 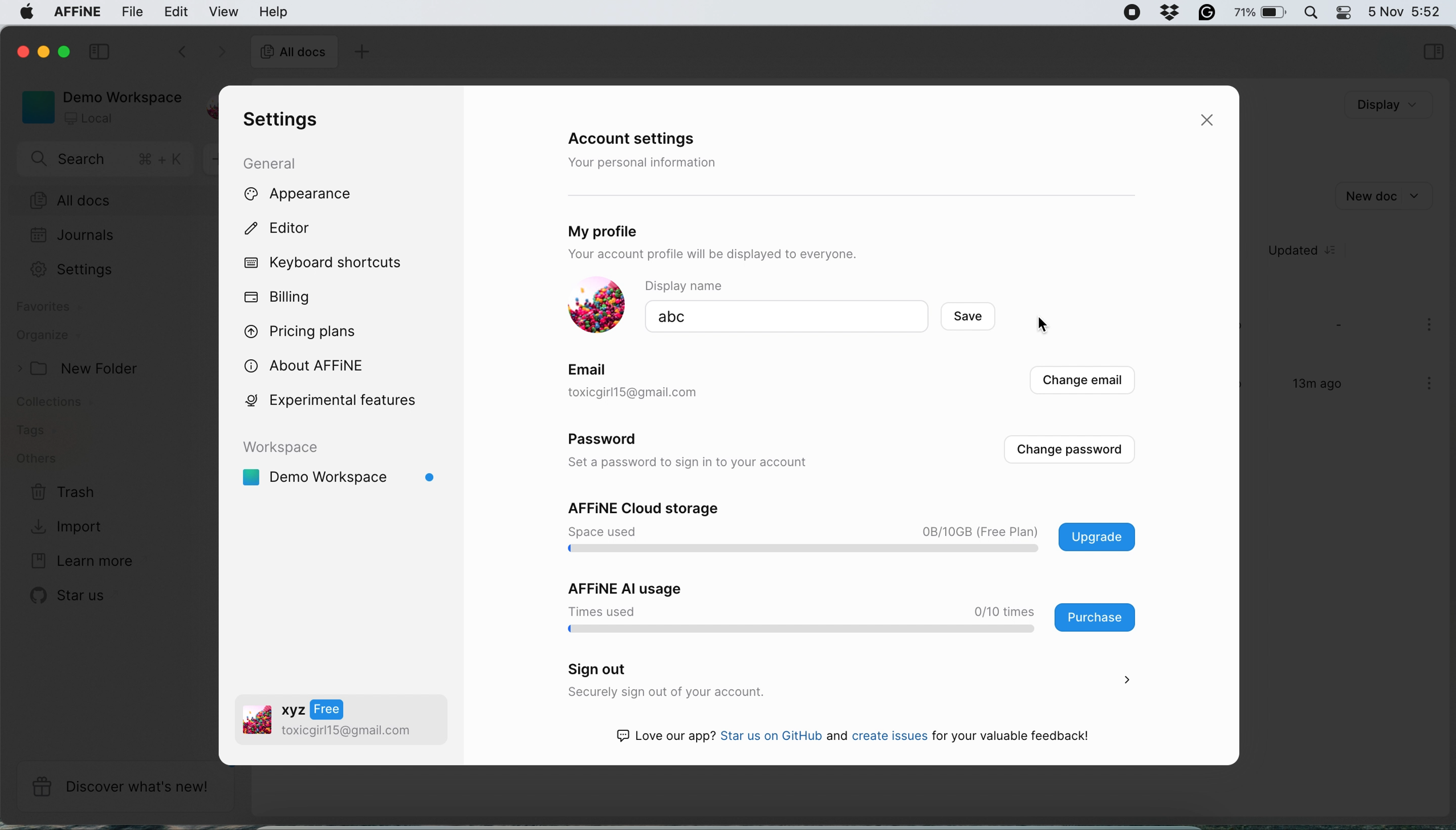 I want to click on affine, so click(x=75, y=14).